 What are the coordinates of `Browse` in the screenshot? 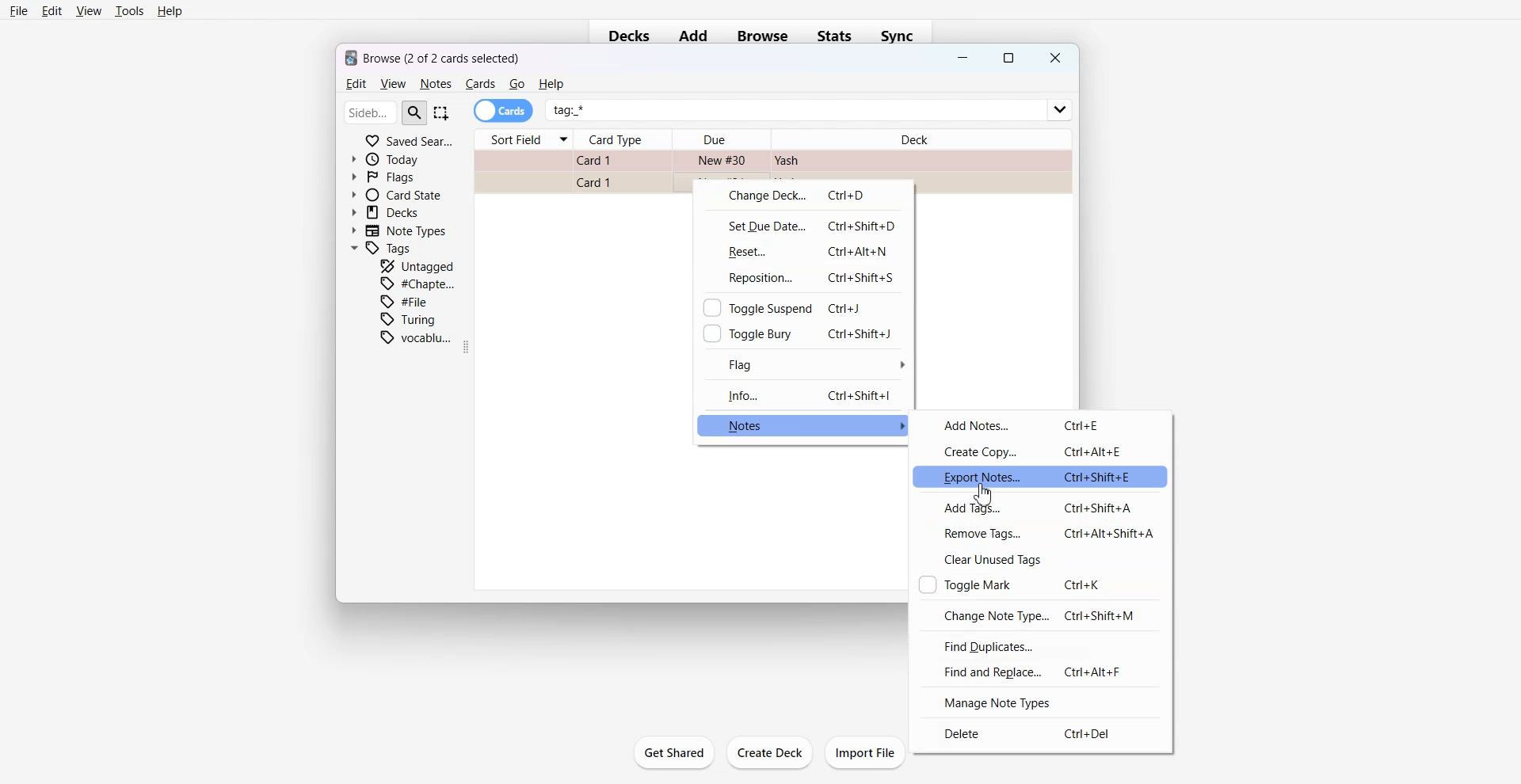 It's located at (762, 36).